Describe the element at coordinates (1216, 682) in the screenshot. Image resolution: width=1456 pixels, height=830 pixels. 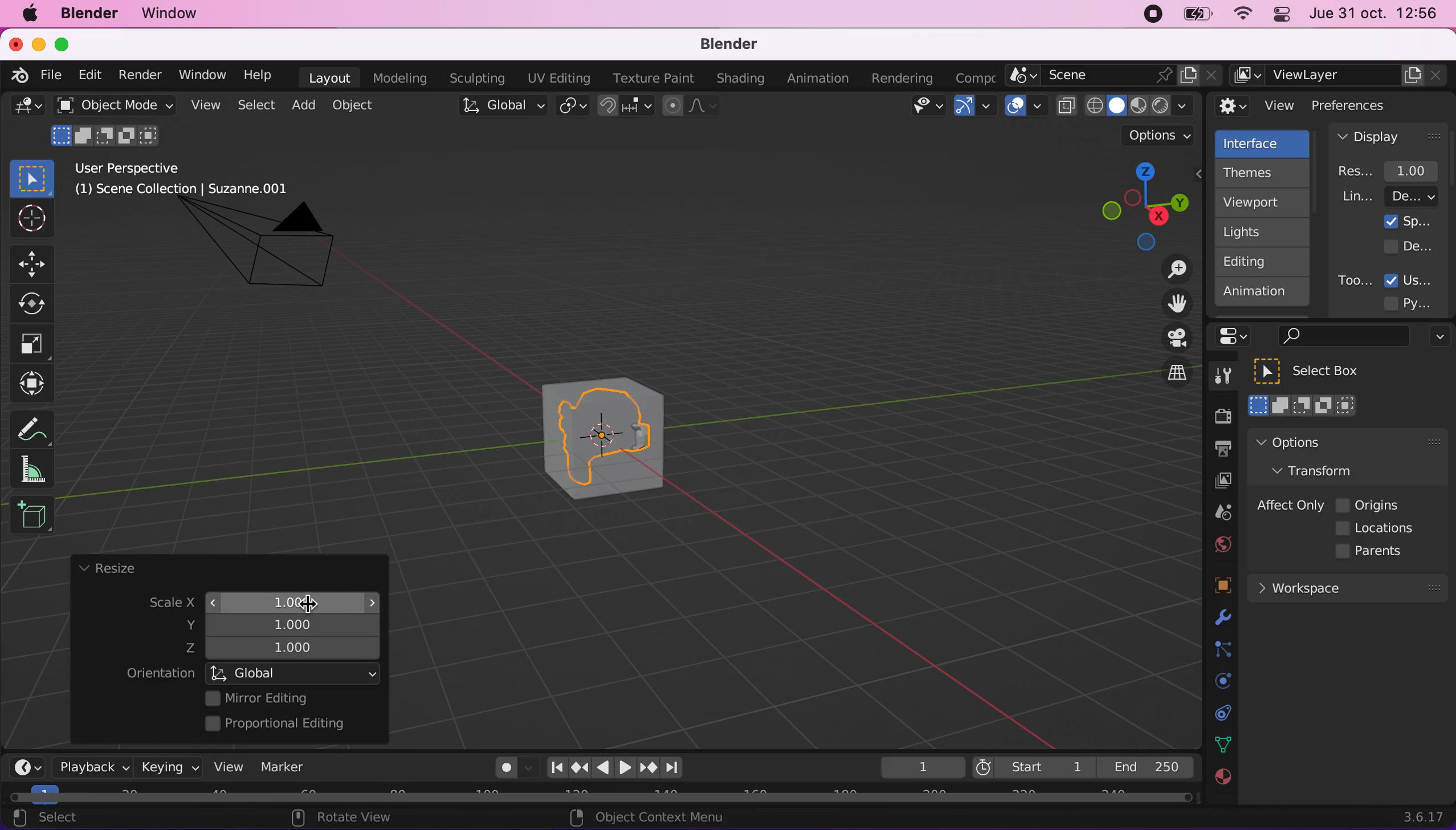
I see `physics prompts` at that location.